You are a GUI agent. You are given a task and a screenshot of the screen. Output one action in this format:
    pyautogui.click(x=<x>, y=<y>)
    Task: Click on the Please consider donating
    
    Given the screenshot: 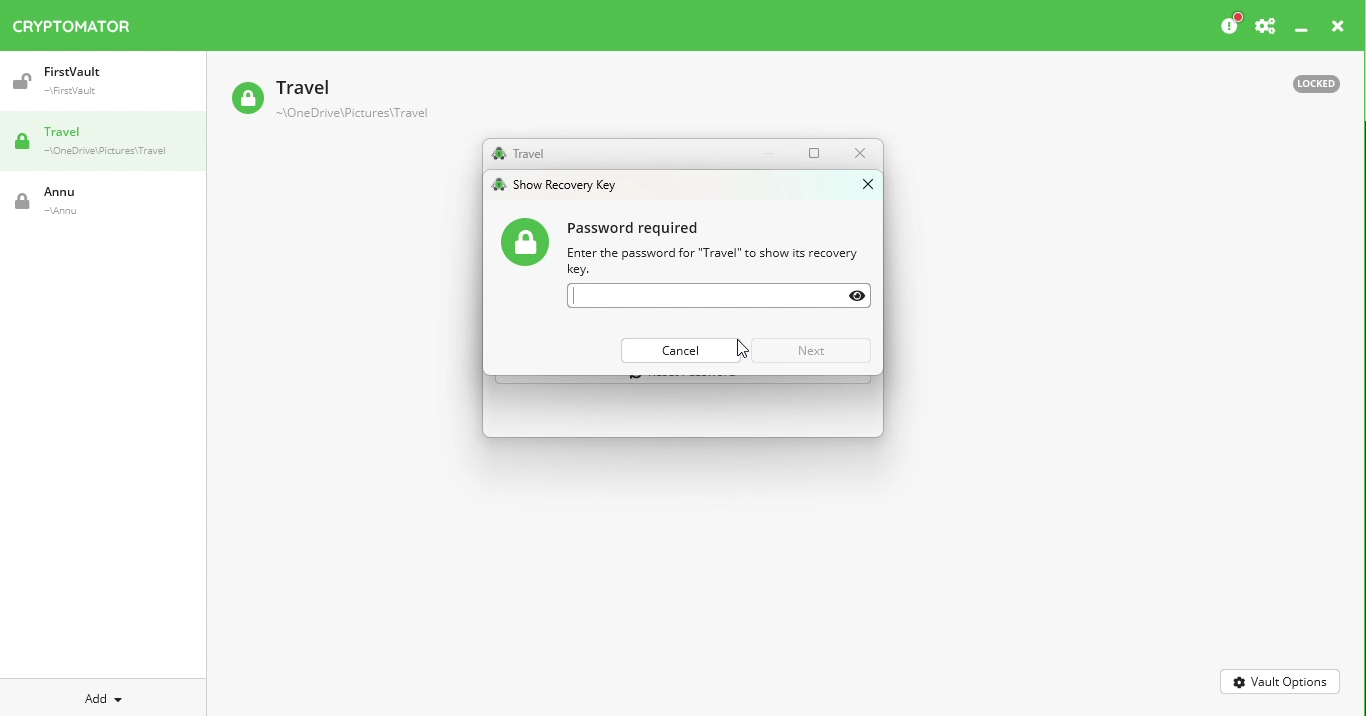 What is the action you would take?
    pyautogui.click(x=1229, y=25)
    